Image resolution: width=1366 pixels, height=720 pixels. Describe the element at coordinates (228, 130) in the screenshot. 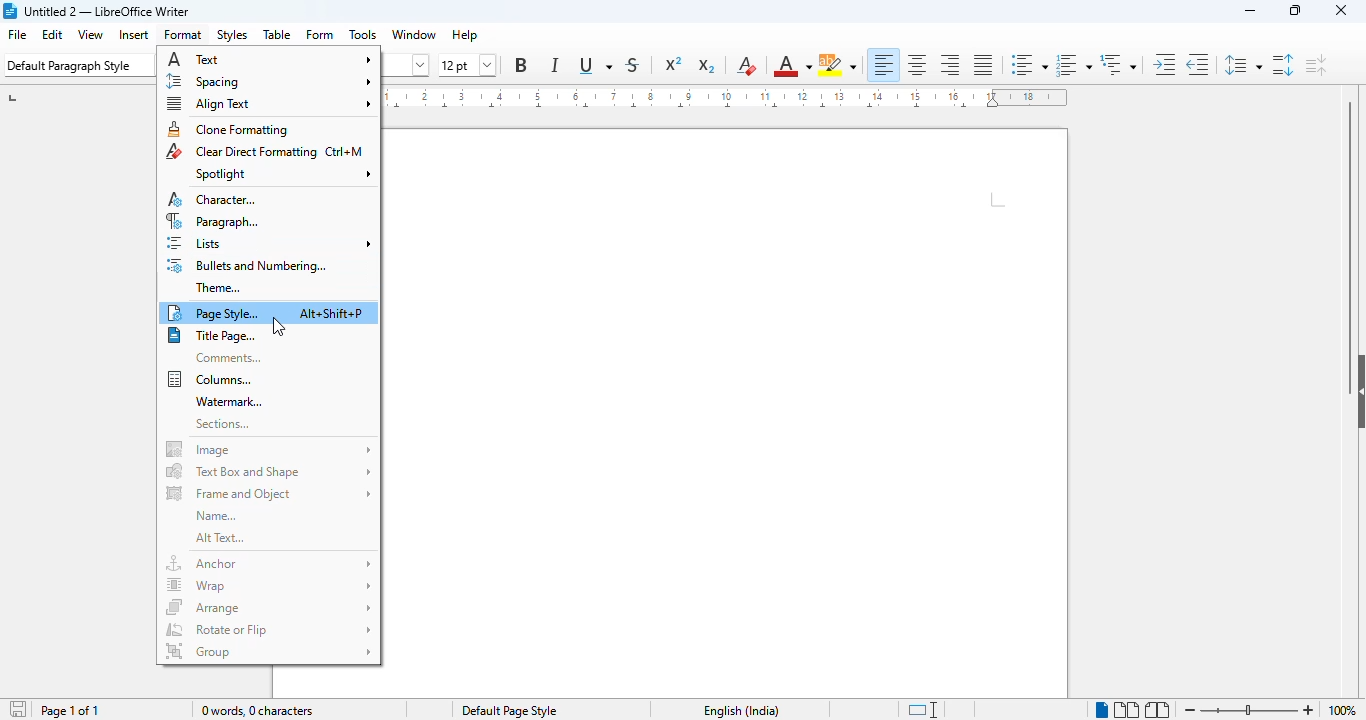

I see `clone formatting` at that location.